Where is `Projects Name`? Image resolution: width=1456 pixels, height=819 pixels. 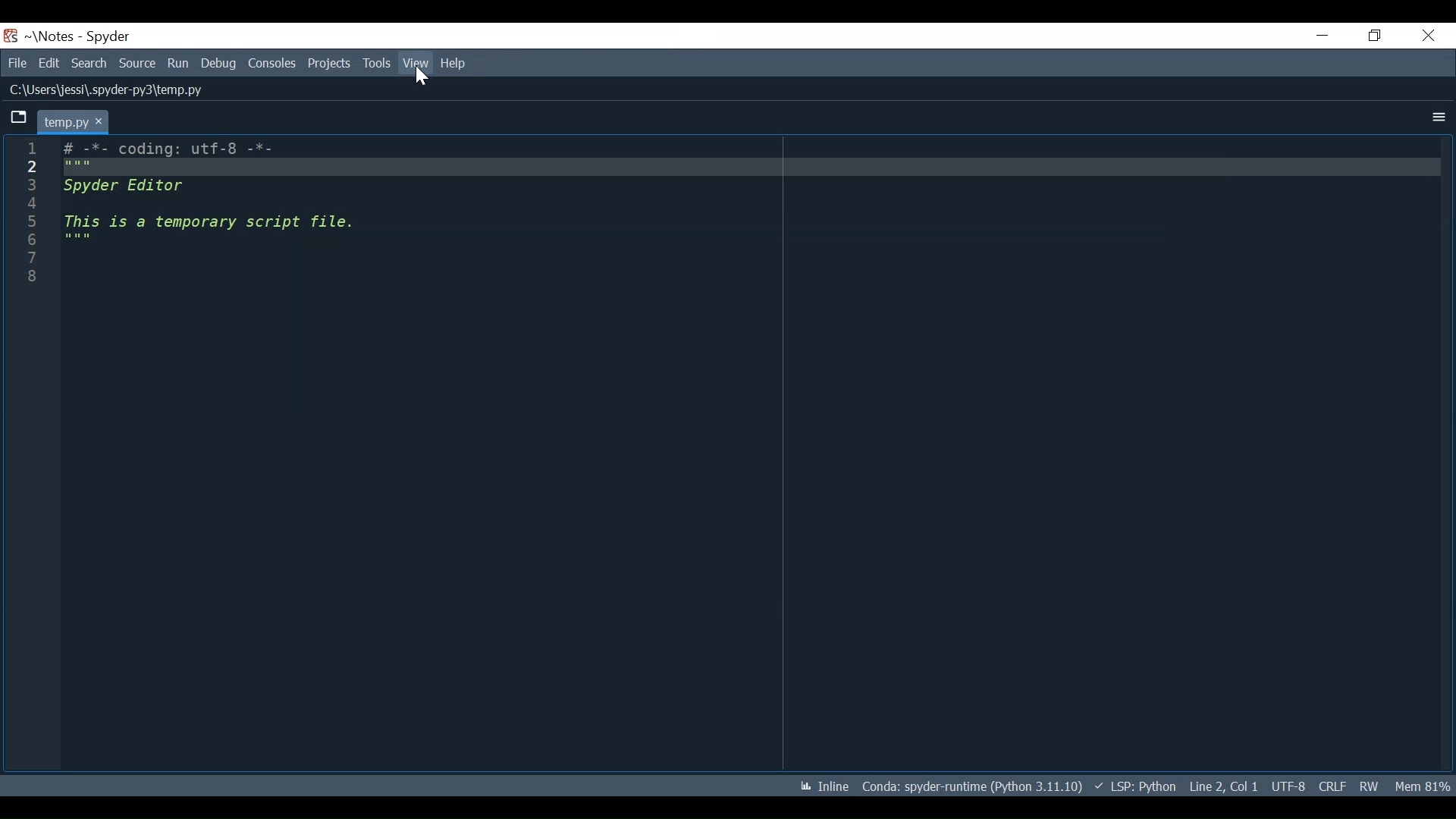
Projects Name is located at coordinates (55, 36).